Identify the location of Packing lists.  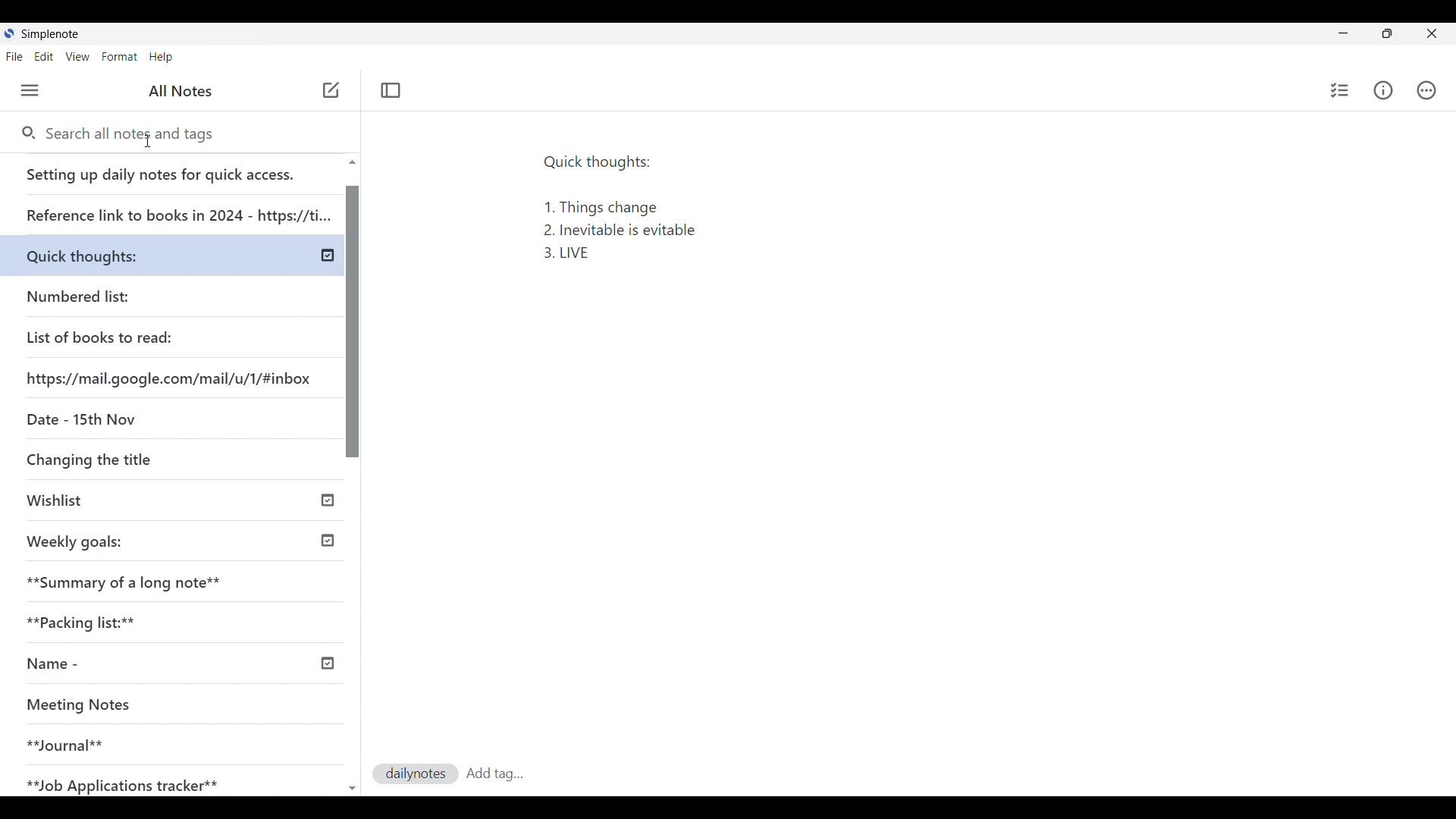
(179, 620).